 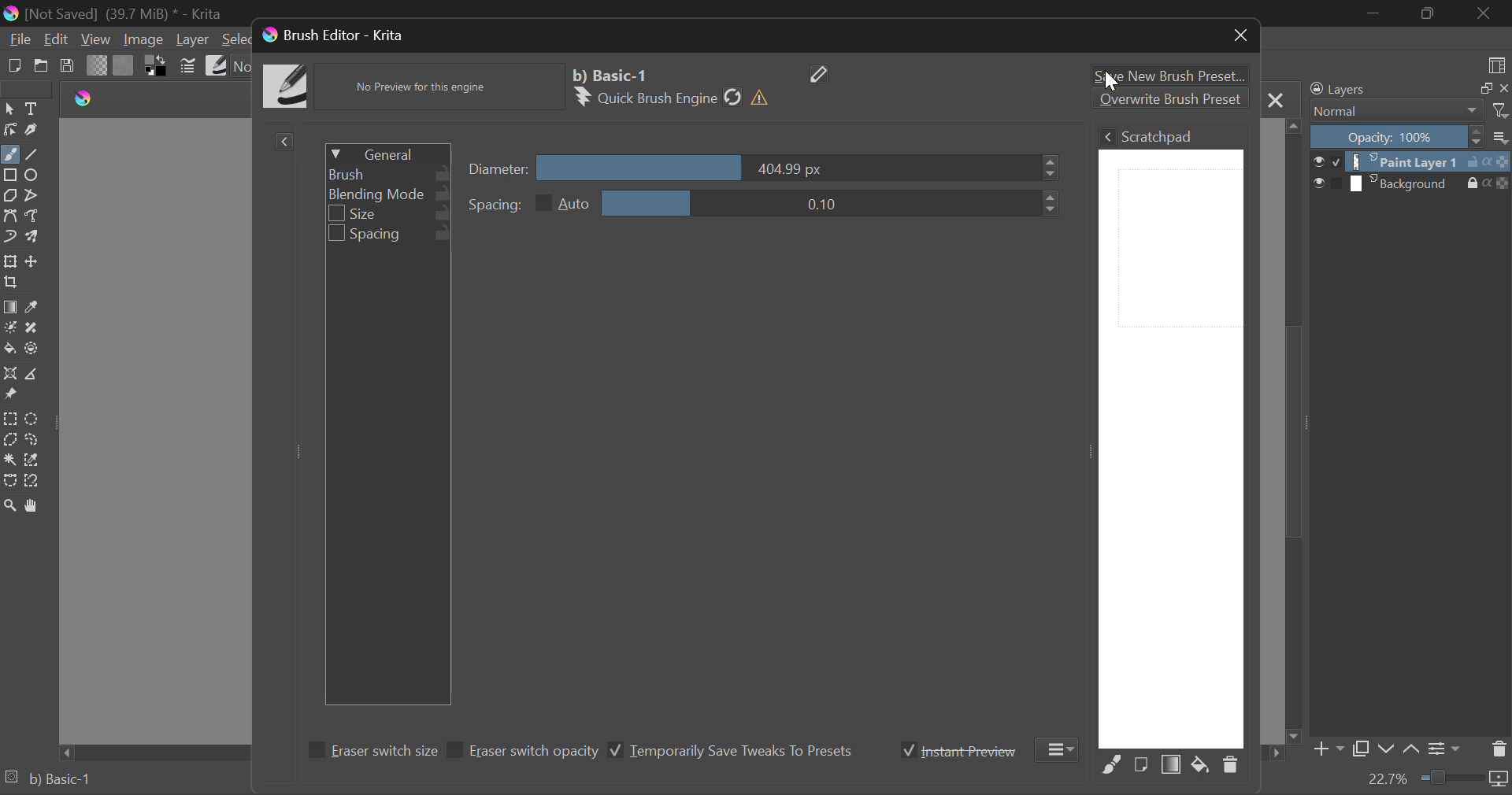 What do you see at coordinates (37, 215) in the screenshot?
I see `Freehand Path Tools` at bounding box center [37, 215].